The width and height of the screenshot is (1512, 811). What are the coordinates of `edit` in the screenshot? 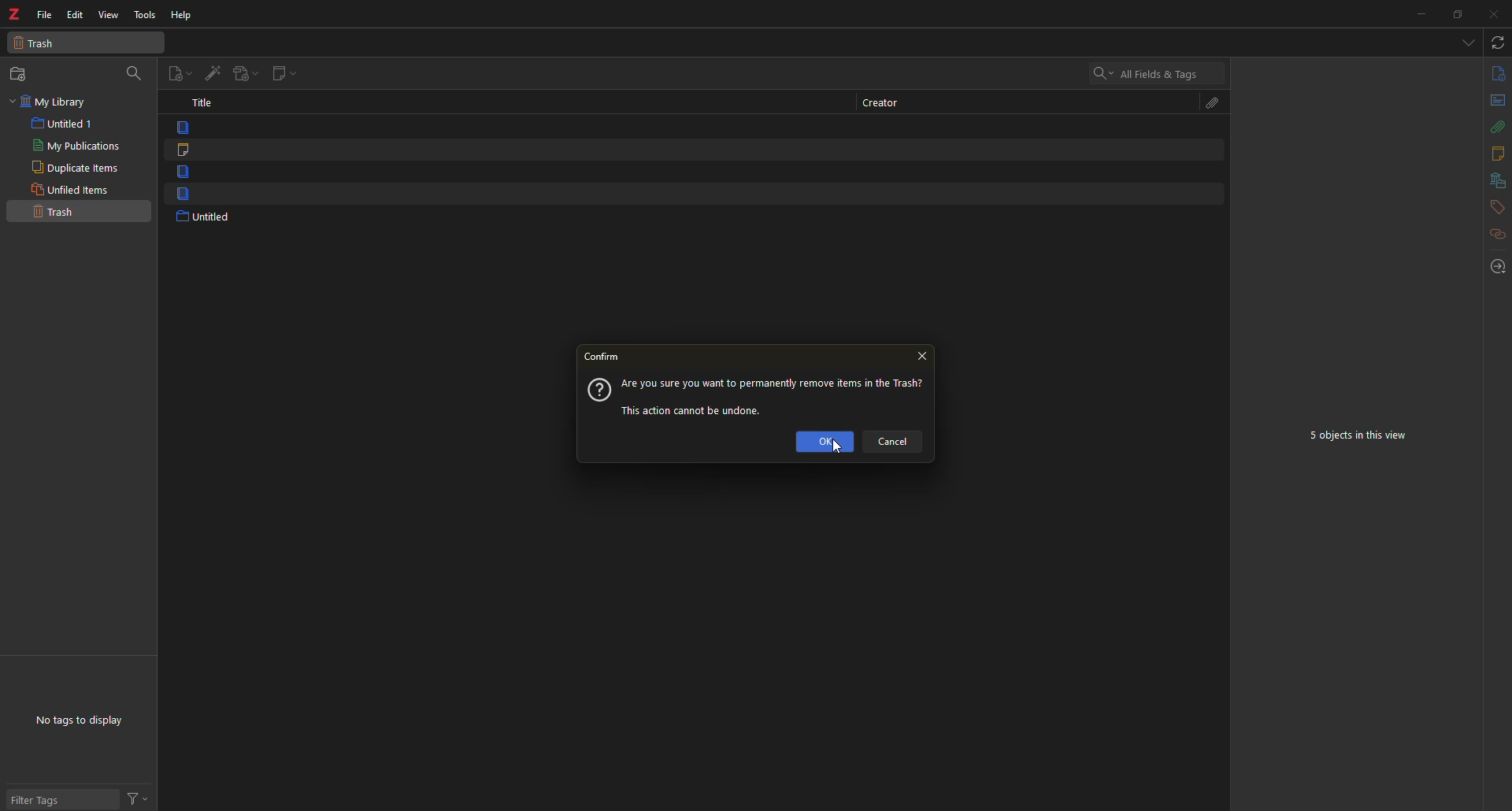 It's located at (76, 14).